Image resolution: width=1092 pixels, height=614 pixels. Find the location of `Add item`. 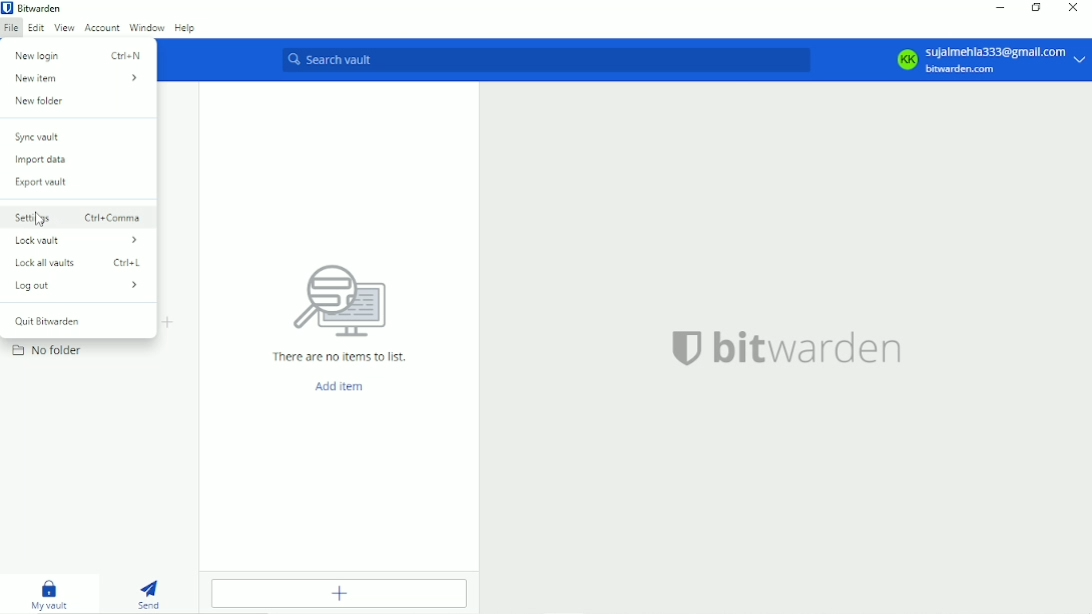

Add item is located at coordinates (337, 592).